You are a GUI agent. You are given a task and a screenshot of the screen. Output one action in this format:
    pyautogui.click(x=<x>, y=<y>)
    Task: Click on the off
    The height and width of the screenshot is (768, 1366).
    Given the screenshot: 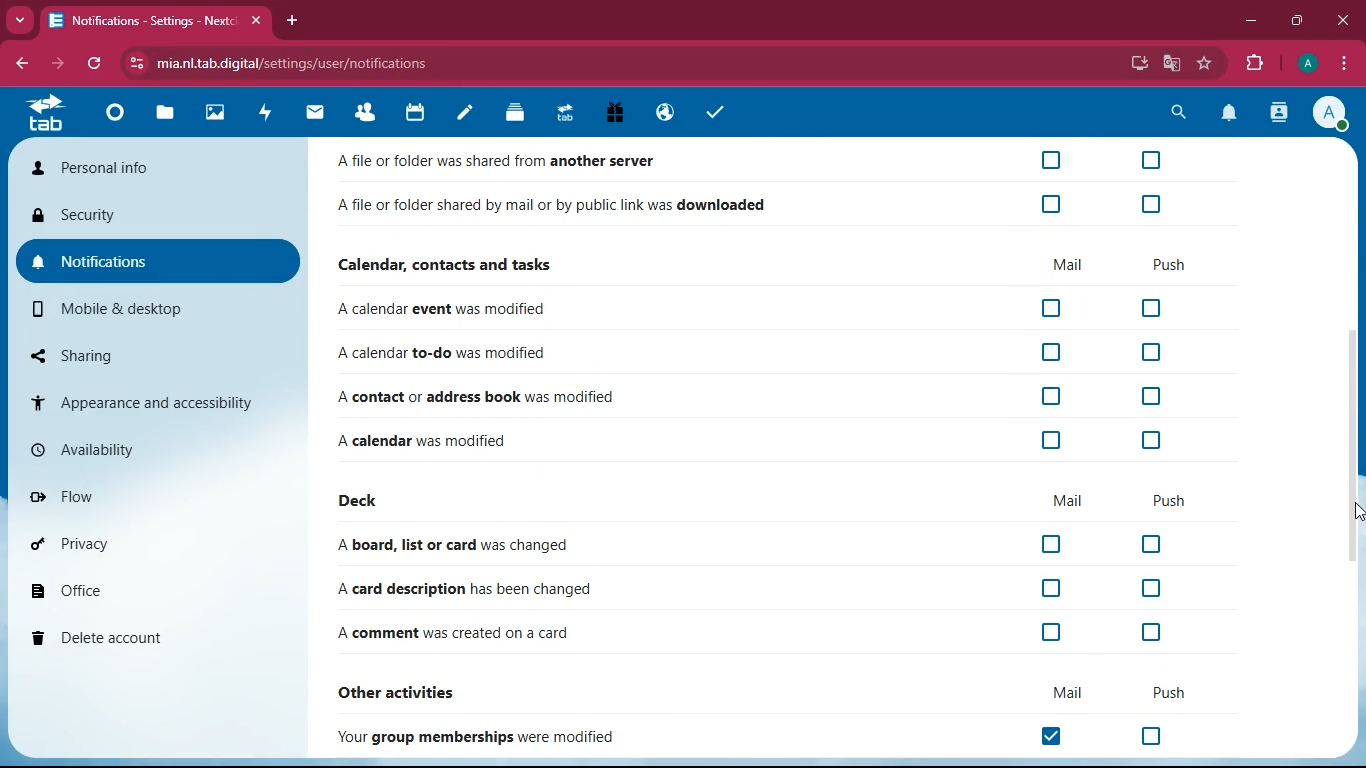 What is the action you would take?
    pyautogui.click(x=1149, y=160)
    